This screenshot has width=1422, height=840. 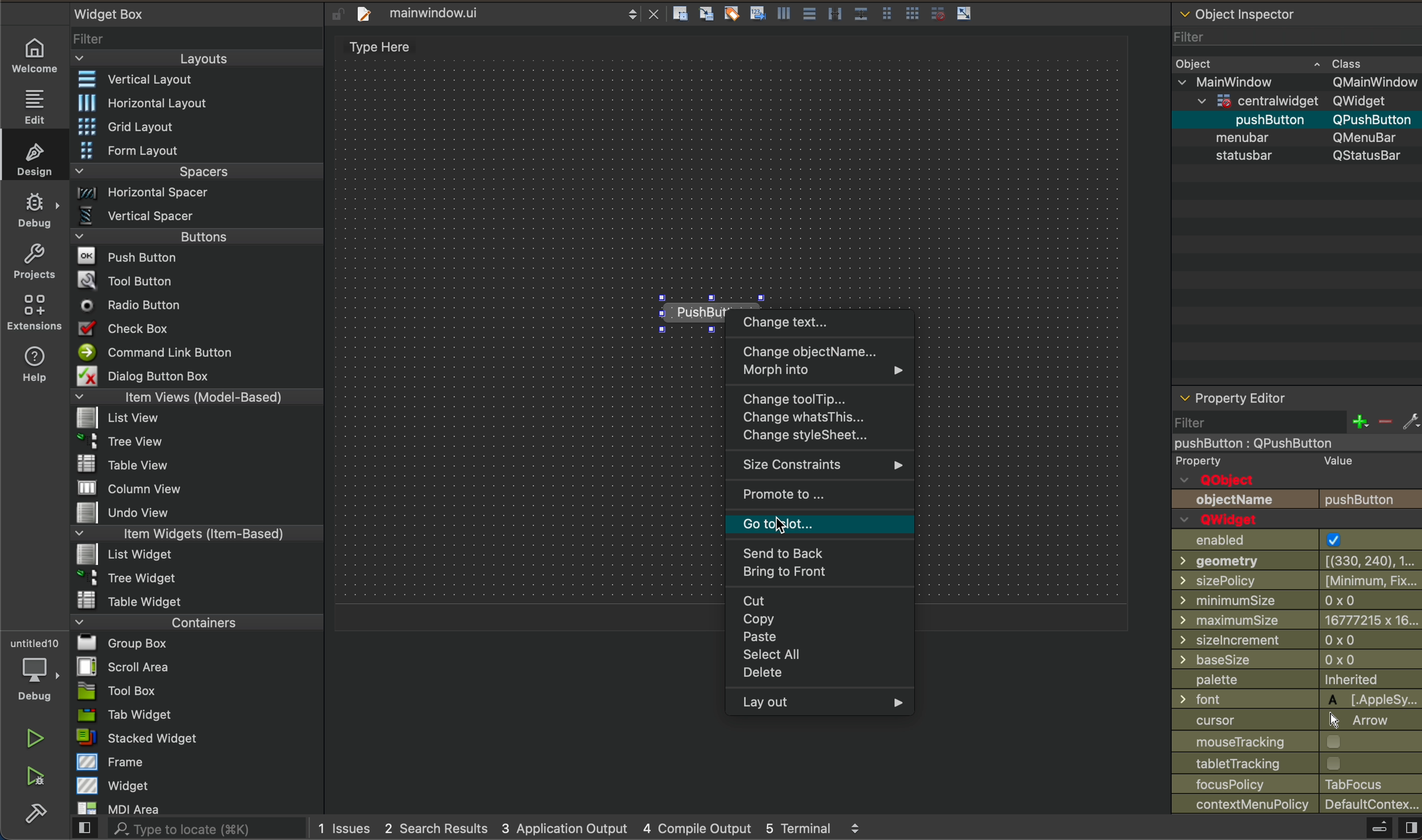 I want to click on tree, so click(x=195, y=578).